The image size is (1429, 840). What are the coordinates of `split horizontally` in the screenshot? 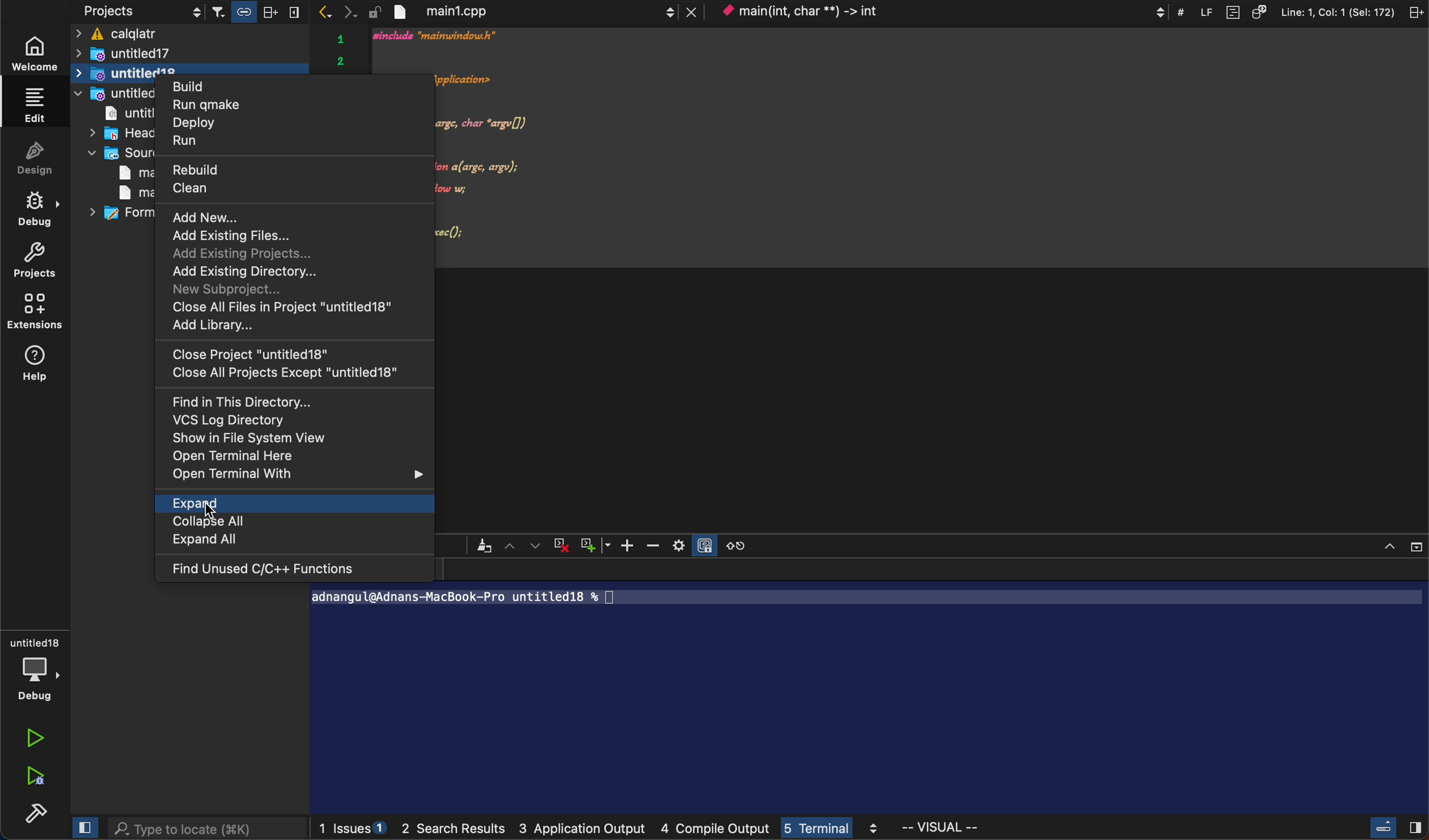 It's located at (269, 10).